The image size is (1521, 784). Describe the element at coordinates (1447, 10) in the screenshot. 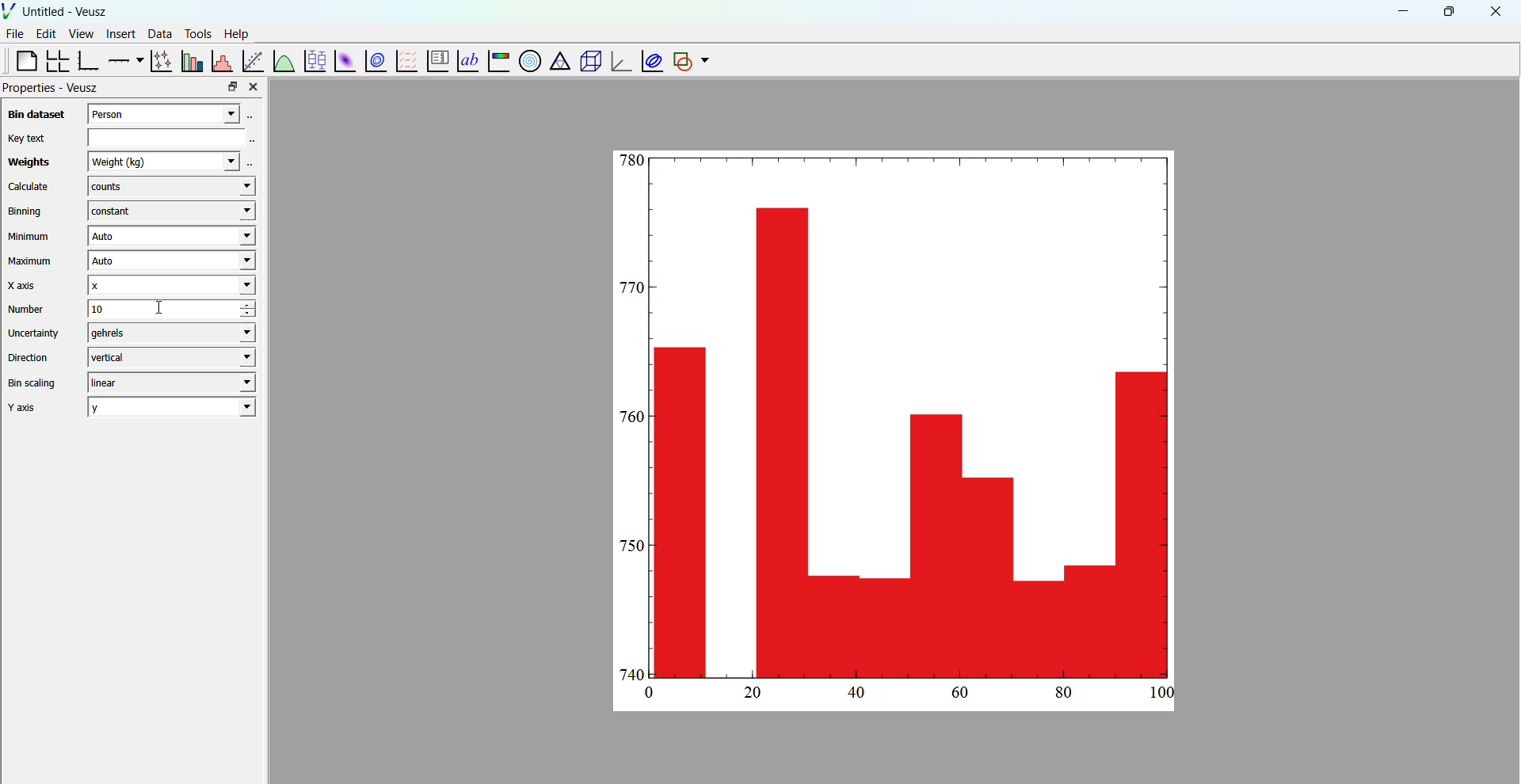

I see `maximize` at that location.